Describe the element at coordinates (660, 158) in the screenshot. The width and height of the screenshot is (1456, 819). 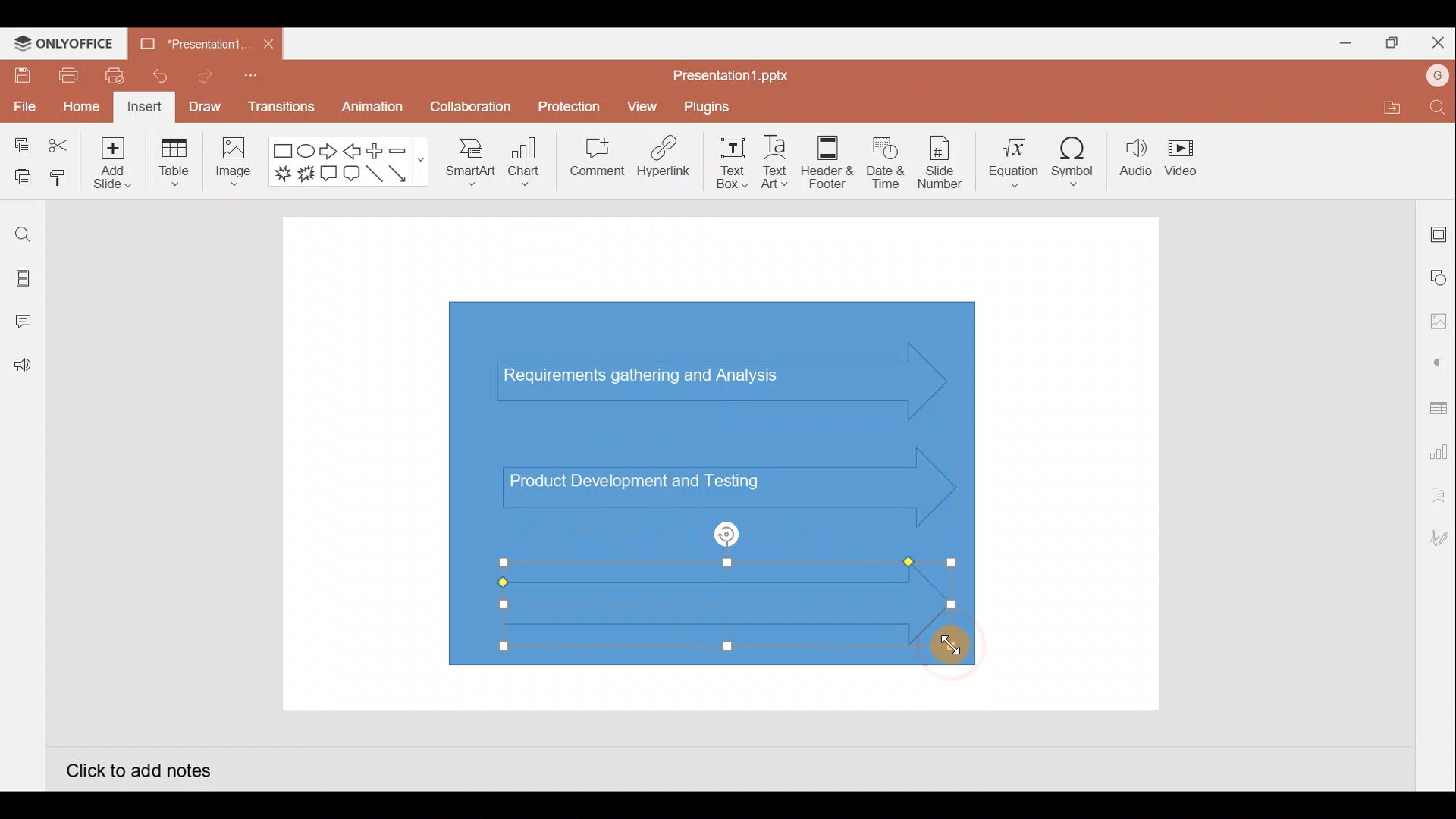
I see `Hyperlink` at that location.